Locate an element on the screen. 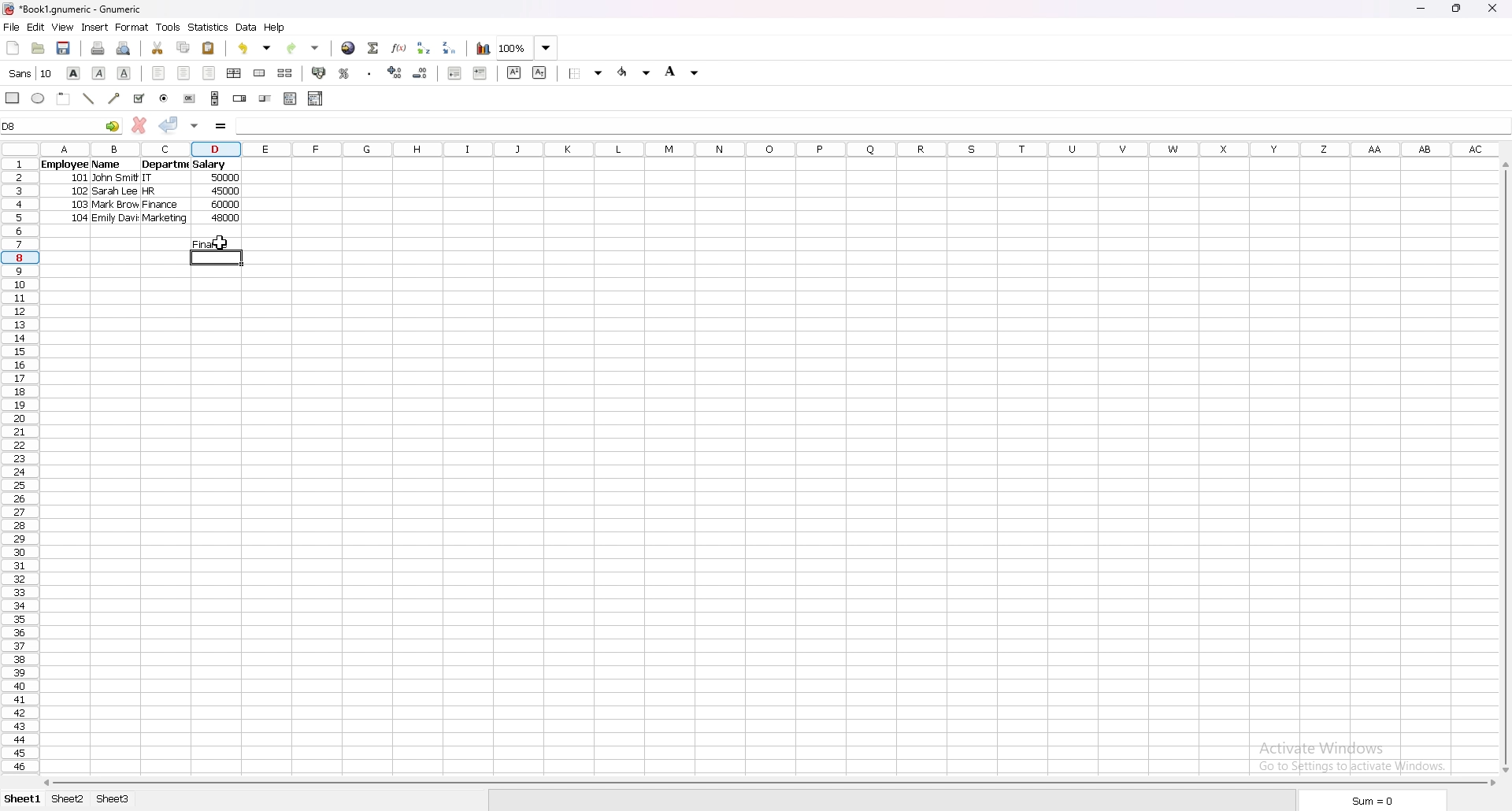 Image resolution: width=1512 pixels, height=811 pixels. Marketing is located at coordinates (165, 220).